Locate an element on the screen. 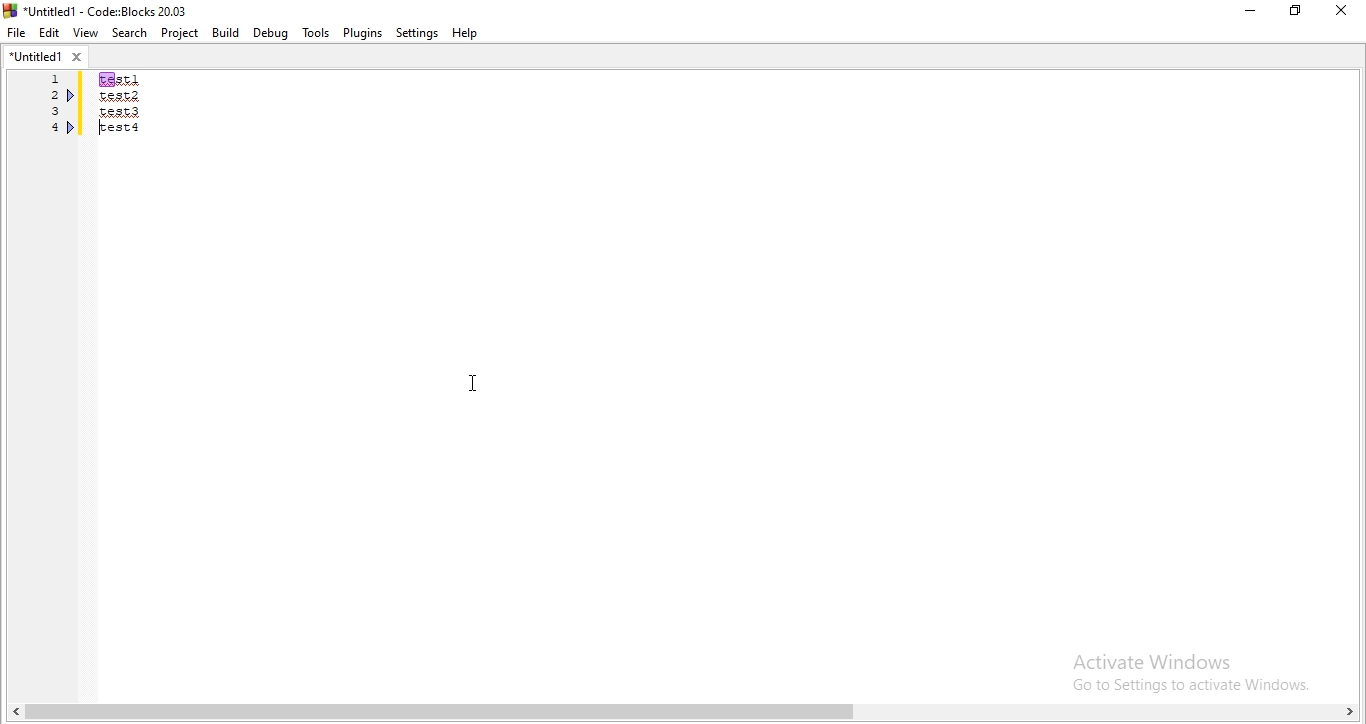 Image resolution: width=1366 pixels, height=724 pixels. Test 1, test 2, test 3, test 4 is located at coordinates (119, 117).